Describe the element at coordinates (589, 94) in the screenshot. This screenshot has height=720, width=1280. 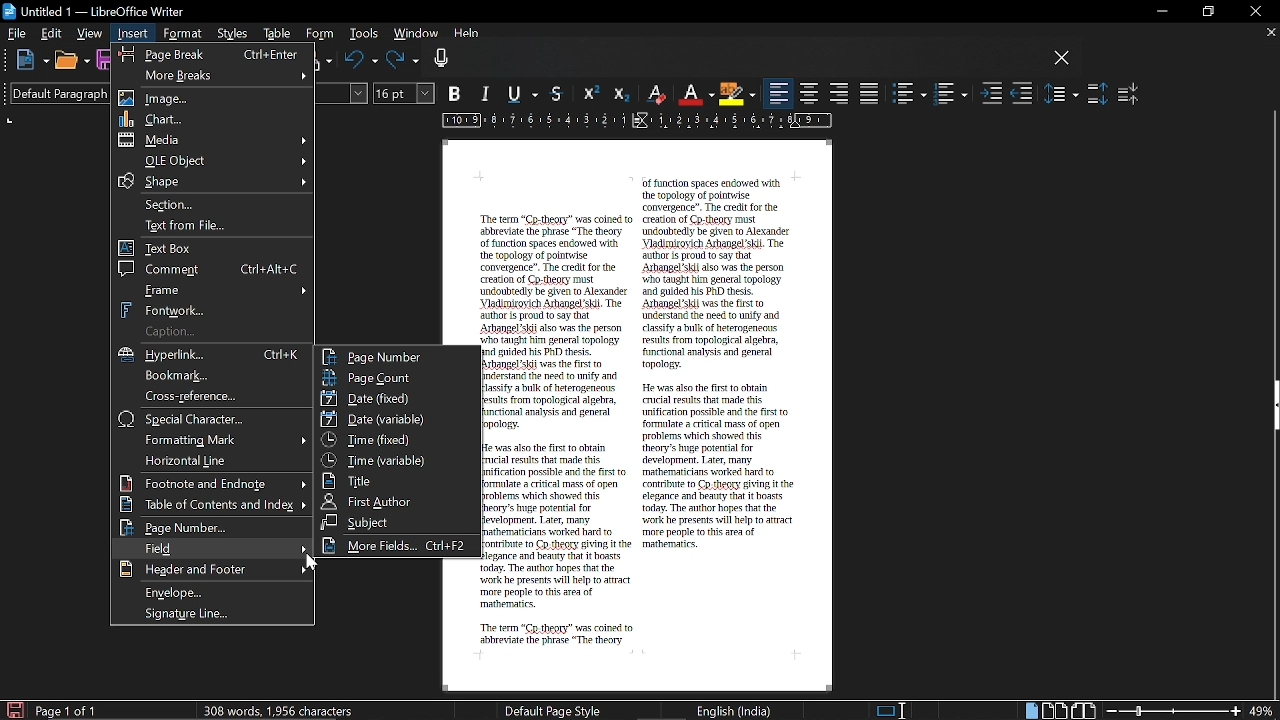
I see `Superscript` at that location.